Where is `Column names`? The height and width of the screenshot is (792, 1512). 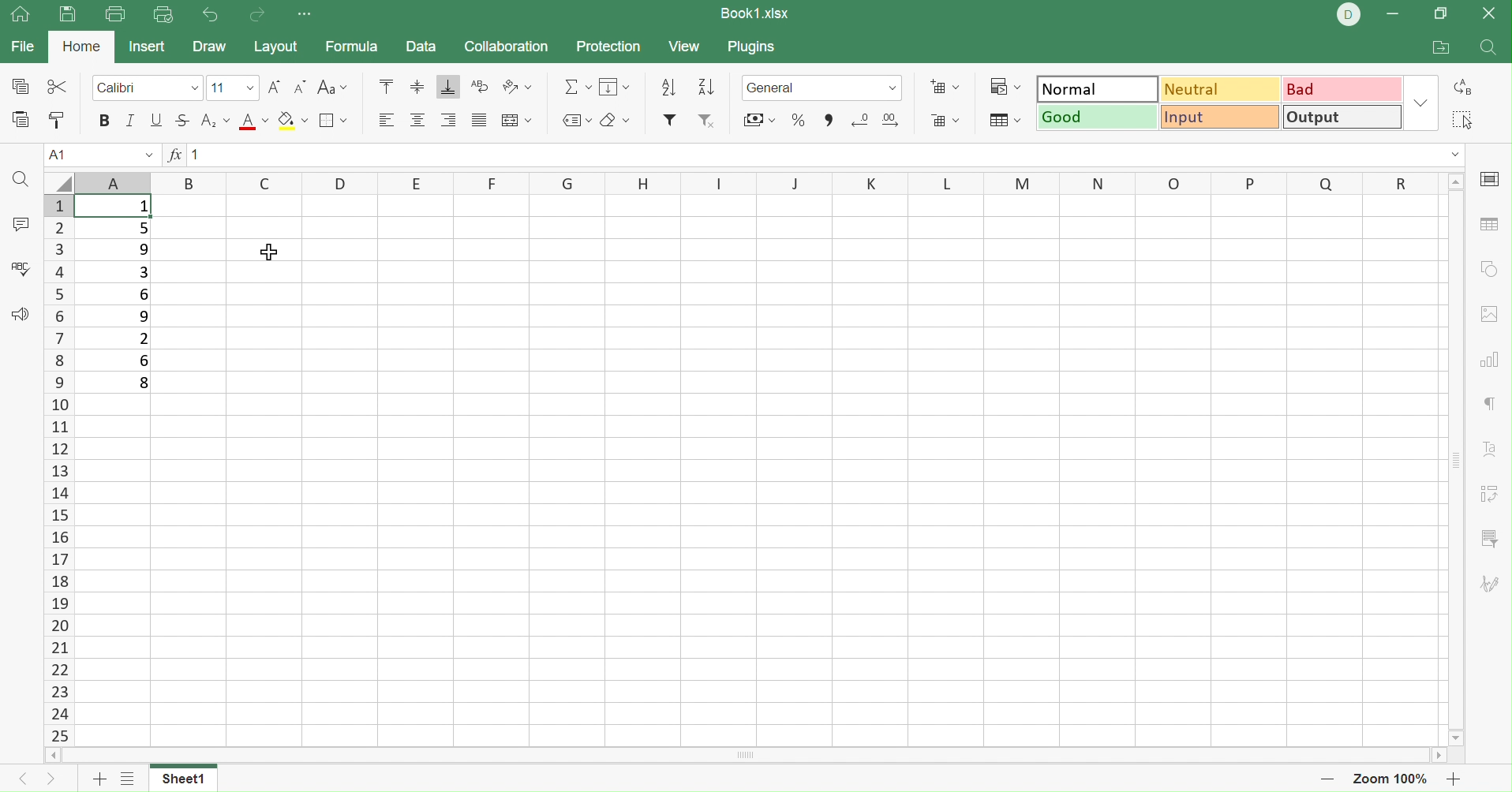
Column names is located at coordinates (757, 185).